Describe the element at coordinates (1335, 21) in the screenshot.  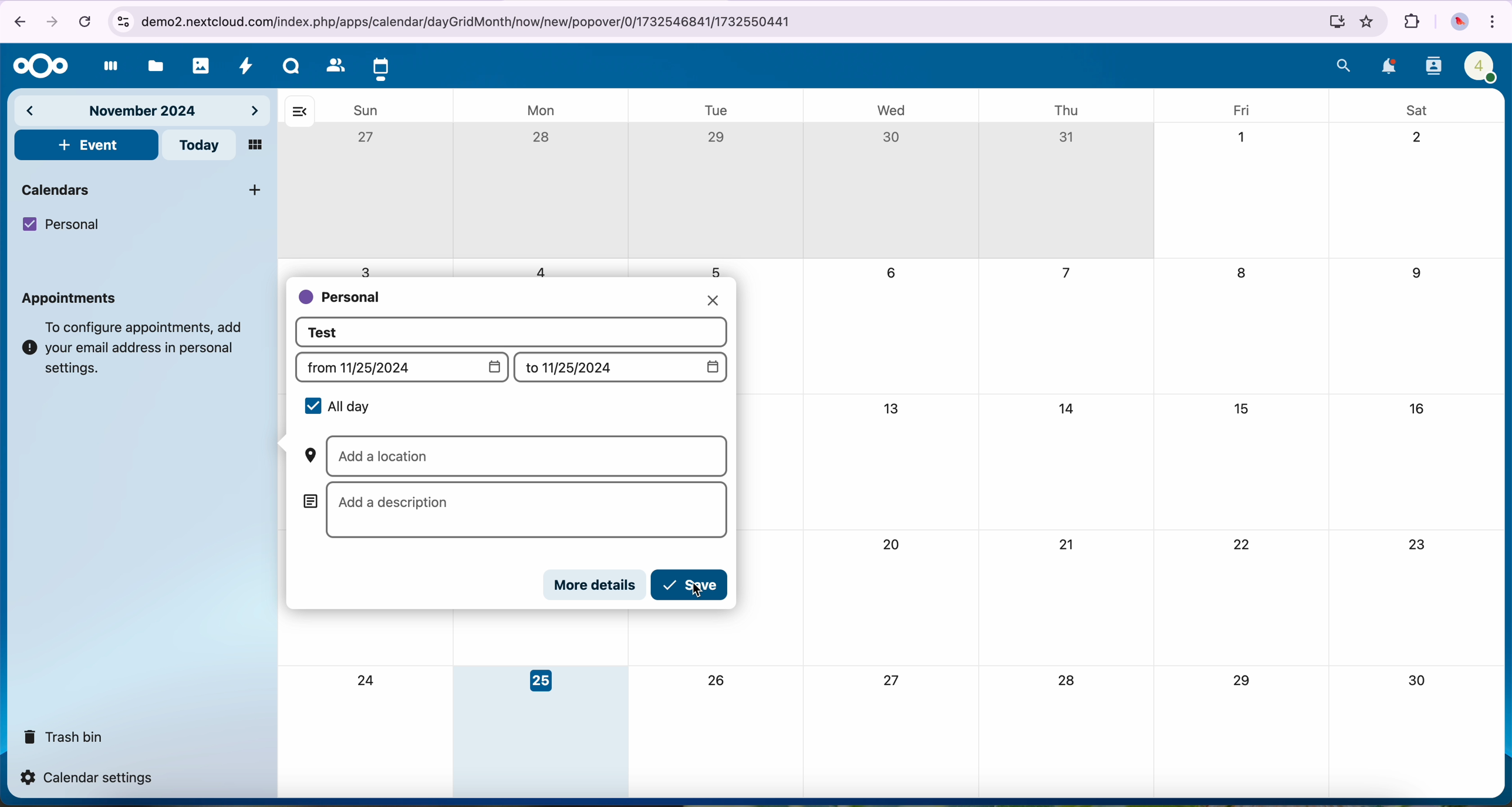
I see `install Nextcloud` at that location.